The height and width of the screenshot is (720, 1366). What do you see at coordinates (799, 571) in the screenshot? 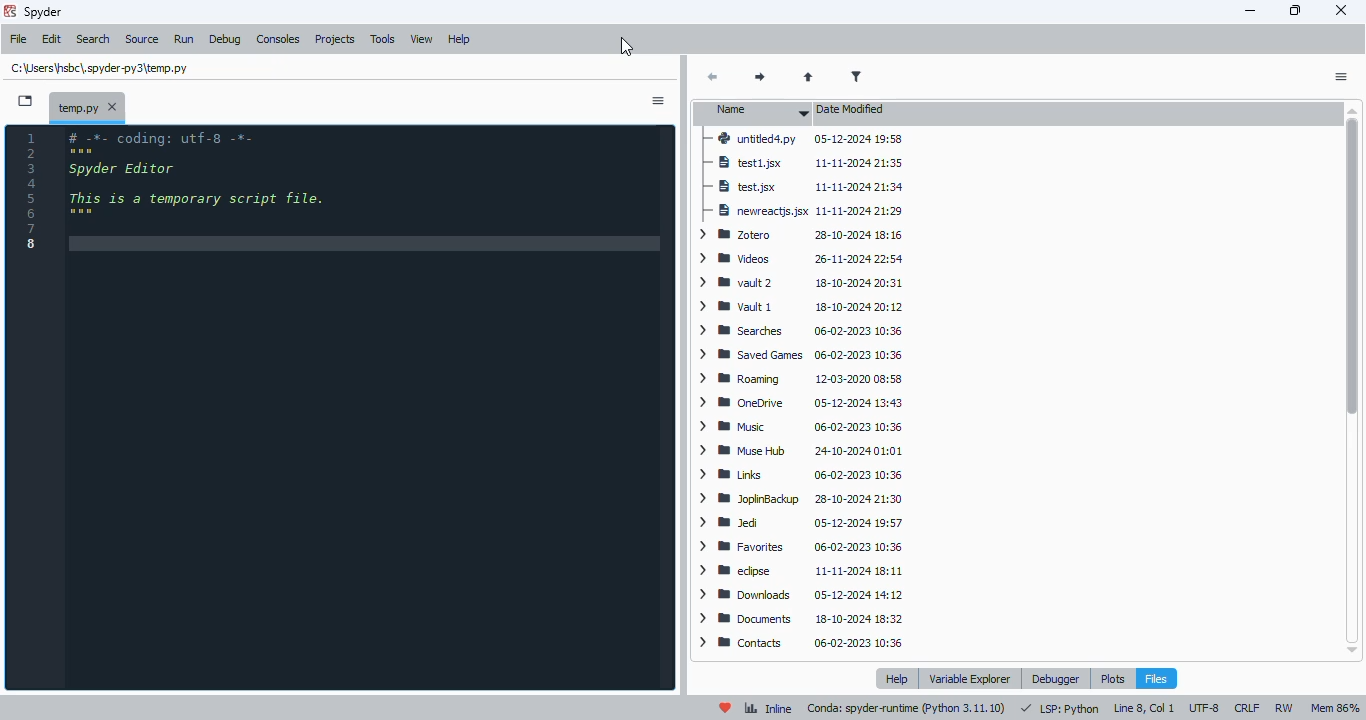
I see `eclipse` at bounding box center [799, 571].